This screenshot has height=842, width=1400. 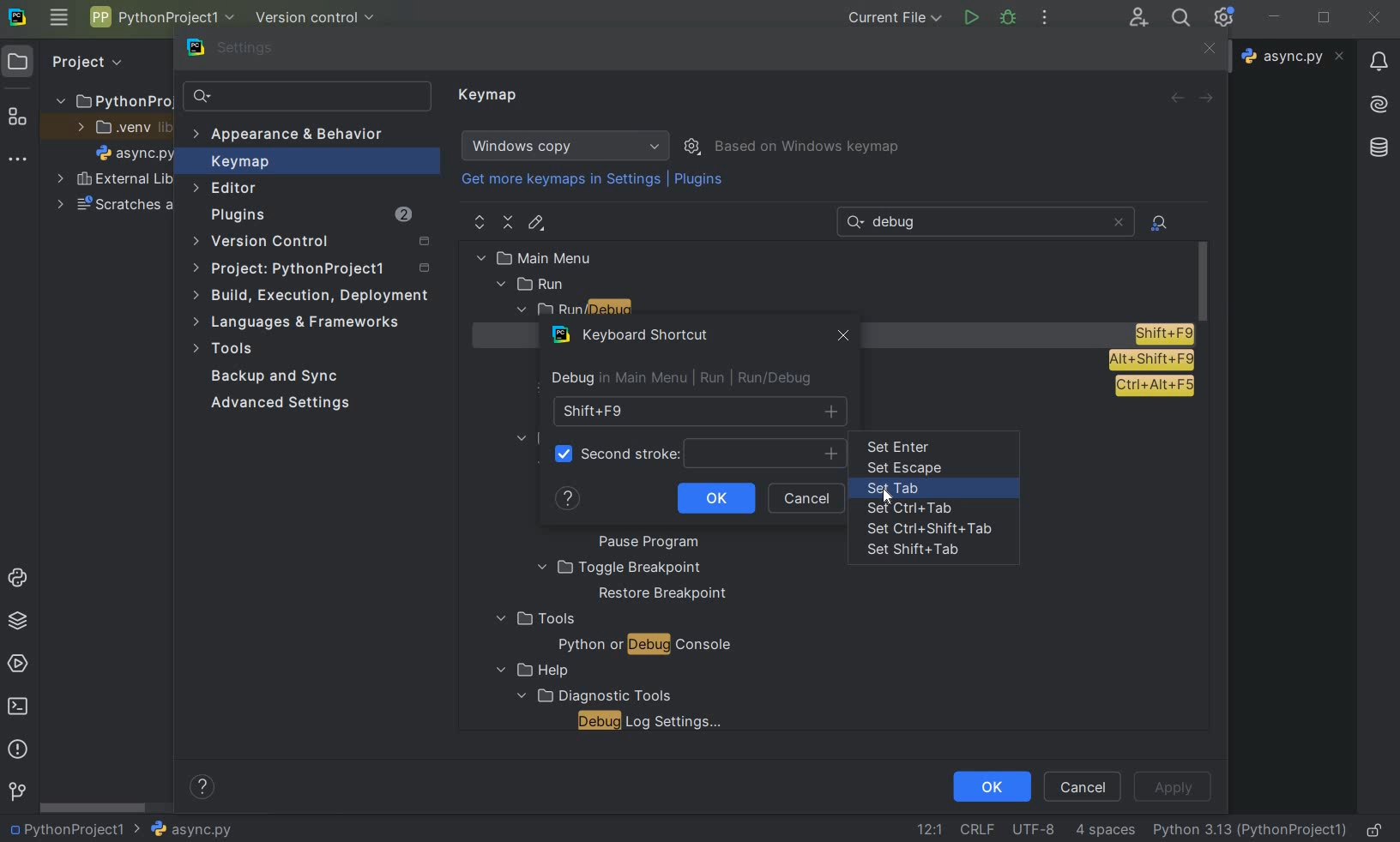 What do you see at coordinates (528, 671) in the screenshot?
I see `help` at bounding box center [528, 671].